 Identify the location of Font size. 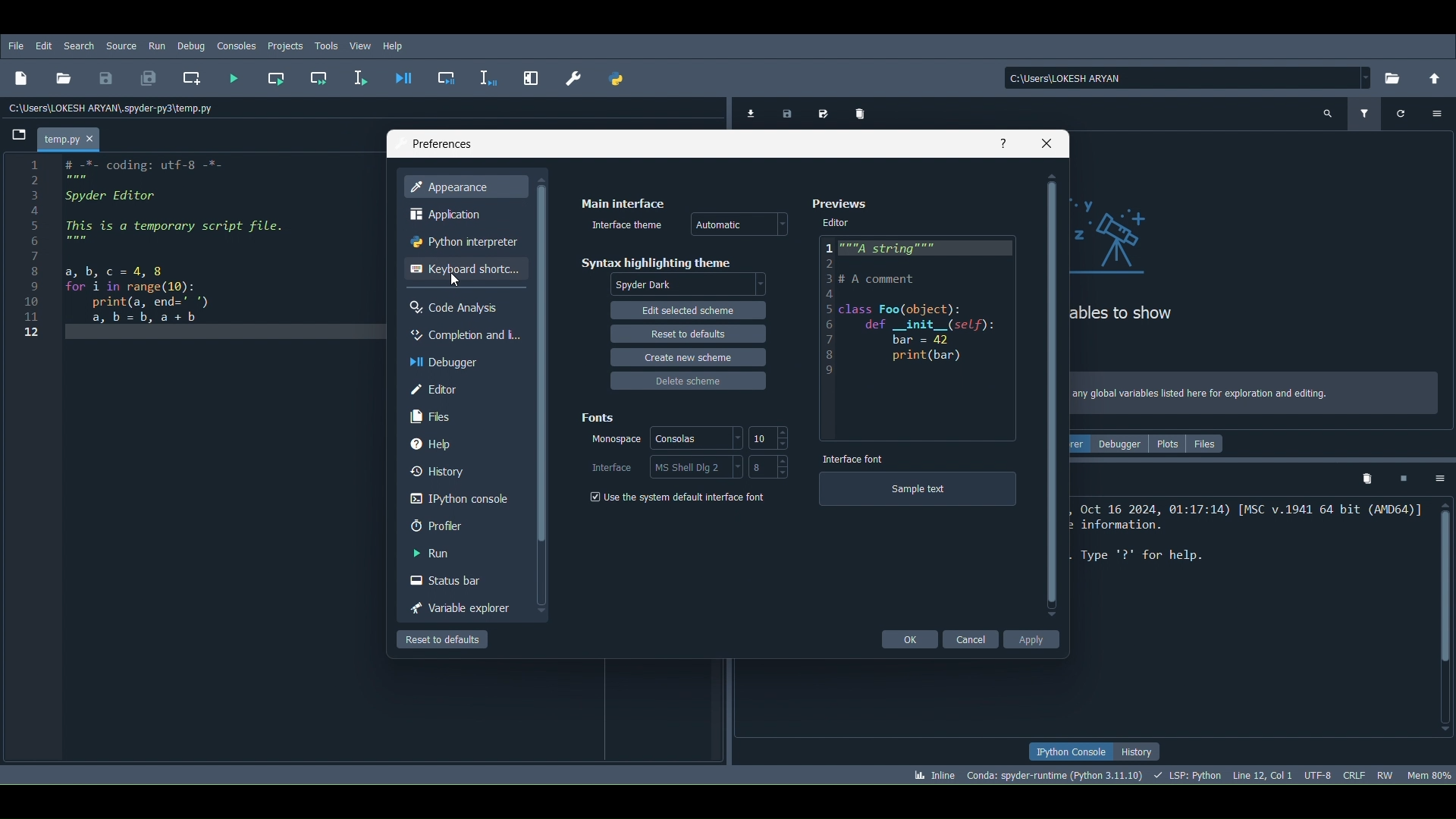
(768, 469).